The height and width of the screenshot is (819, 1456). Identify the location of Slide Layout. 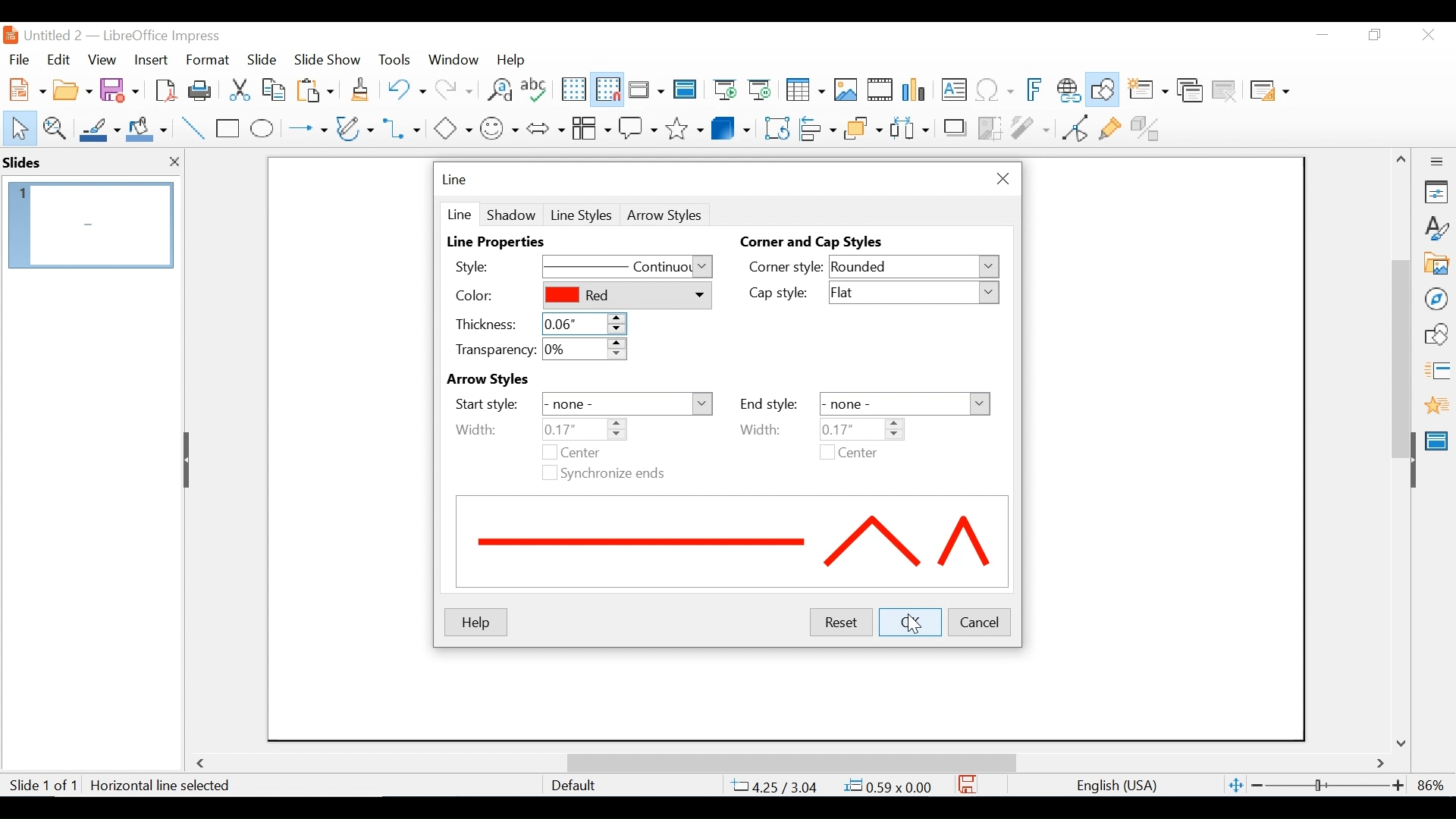
(1268, 92).